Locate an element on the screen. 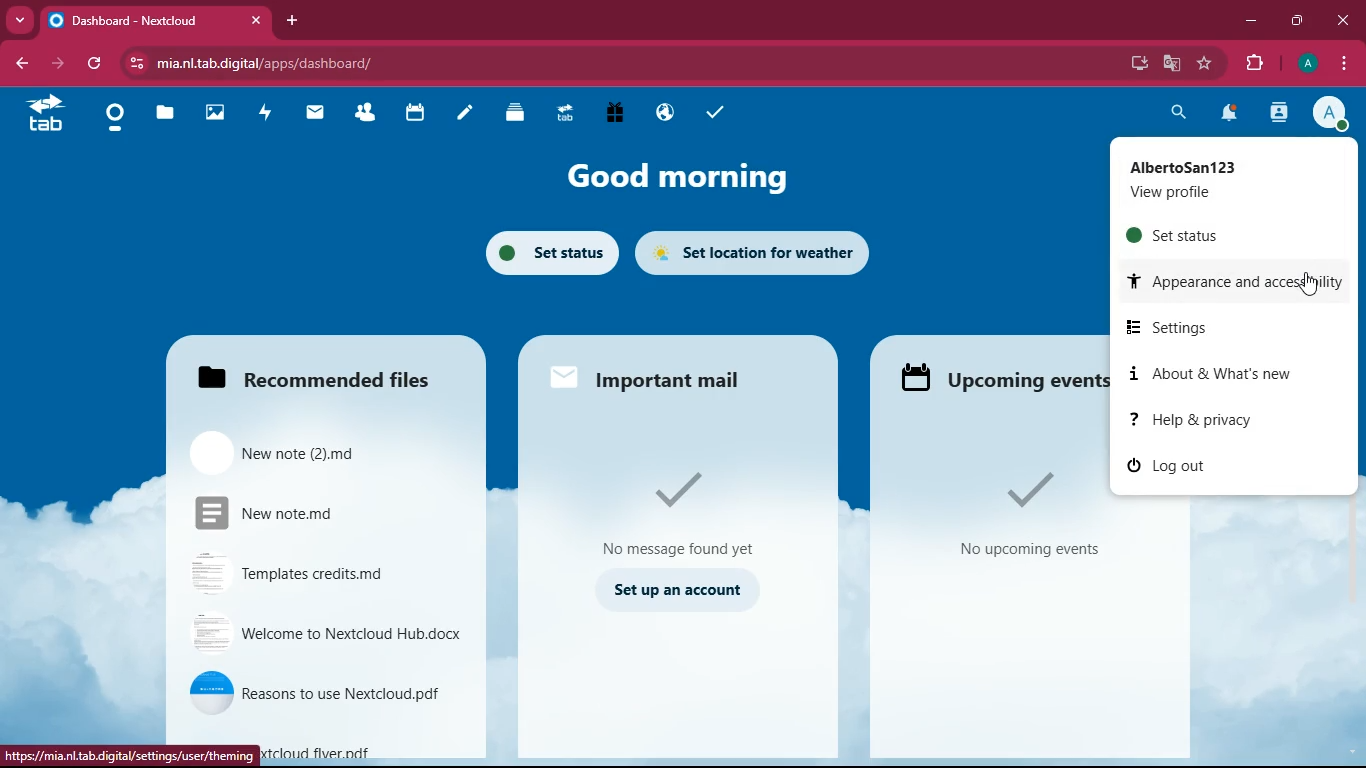 The image size is (1366, 768). layers is located at coordinates (515, 115).